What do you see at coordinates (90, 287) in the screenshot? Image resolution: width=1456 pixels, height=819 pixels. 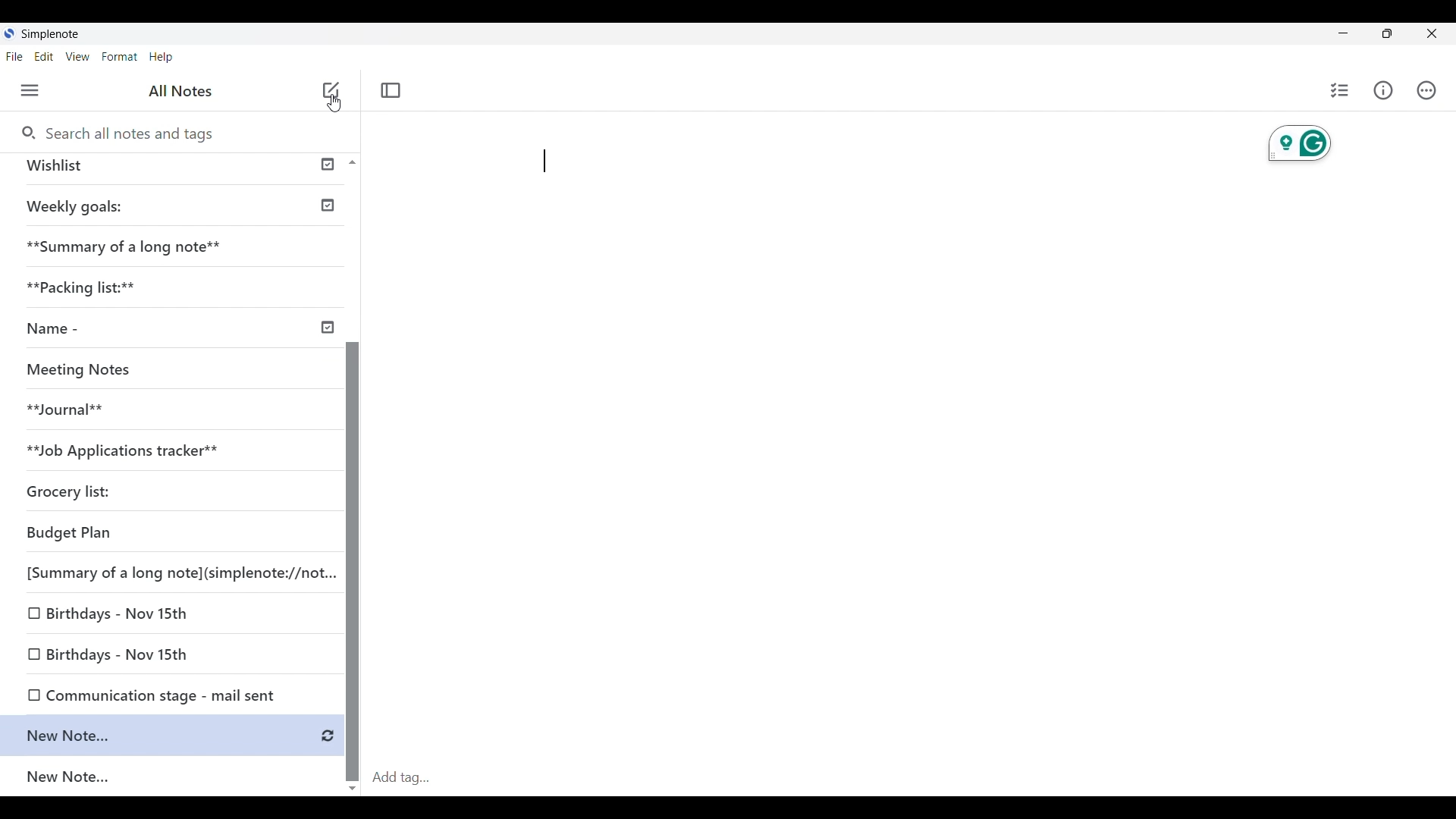 I see `""Packing list."` at bounding box center [90, 287].